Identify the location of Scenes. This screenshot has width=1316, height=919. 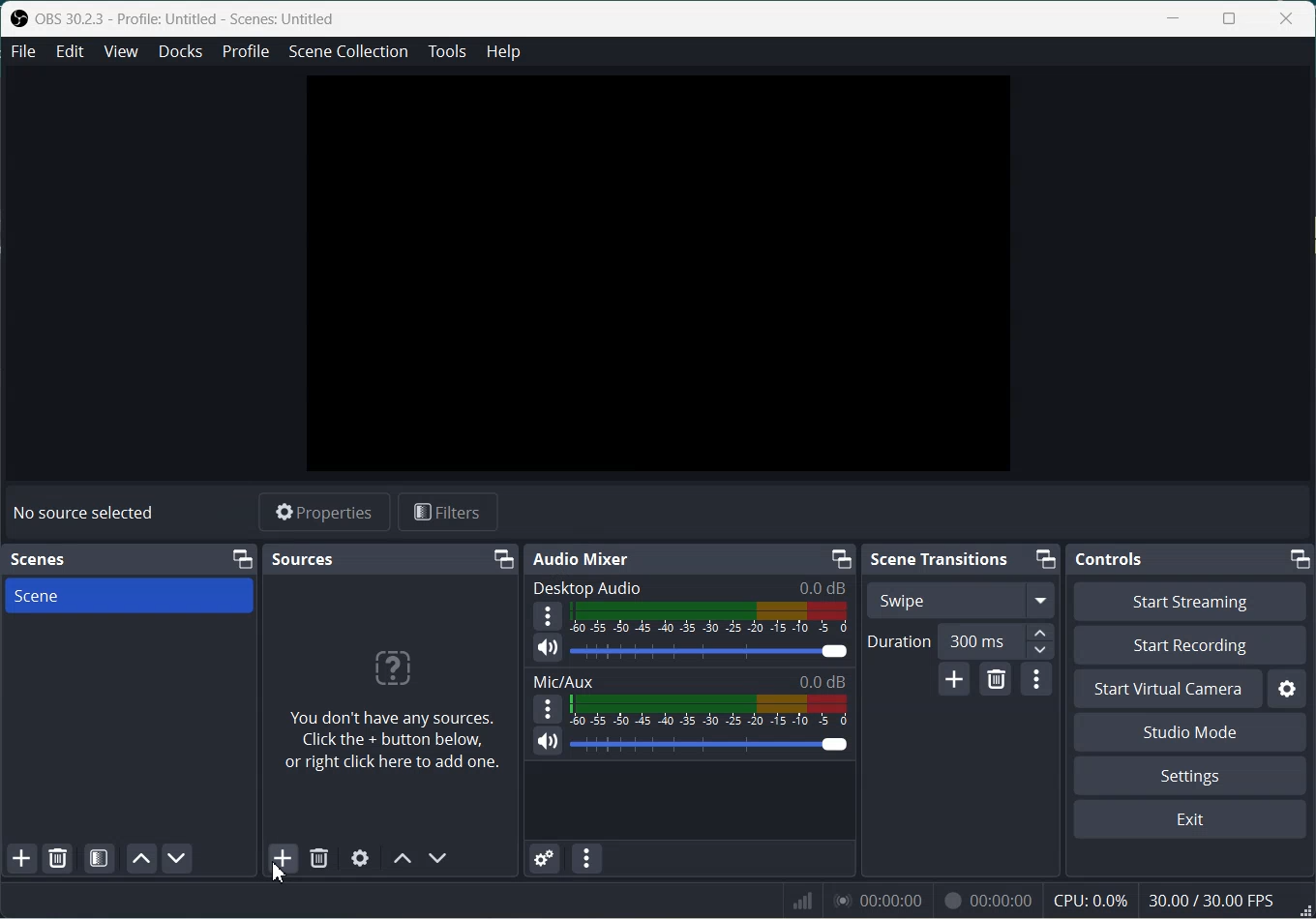
(47, 560).